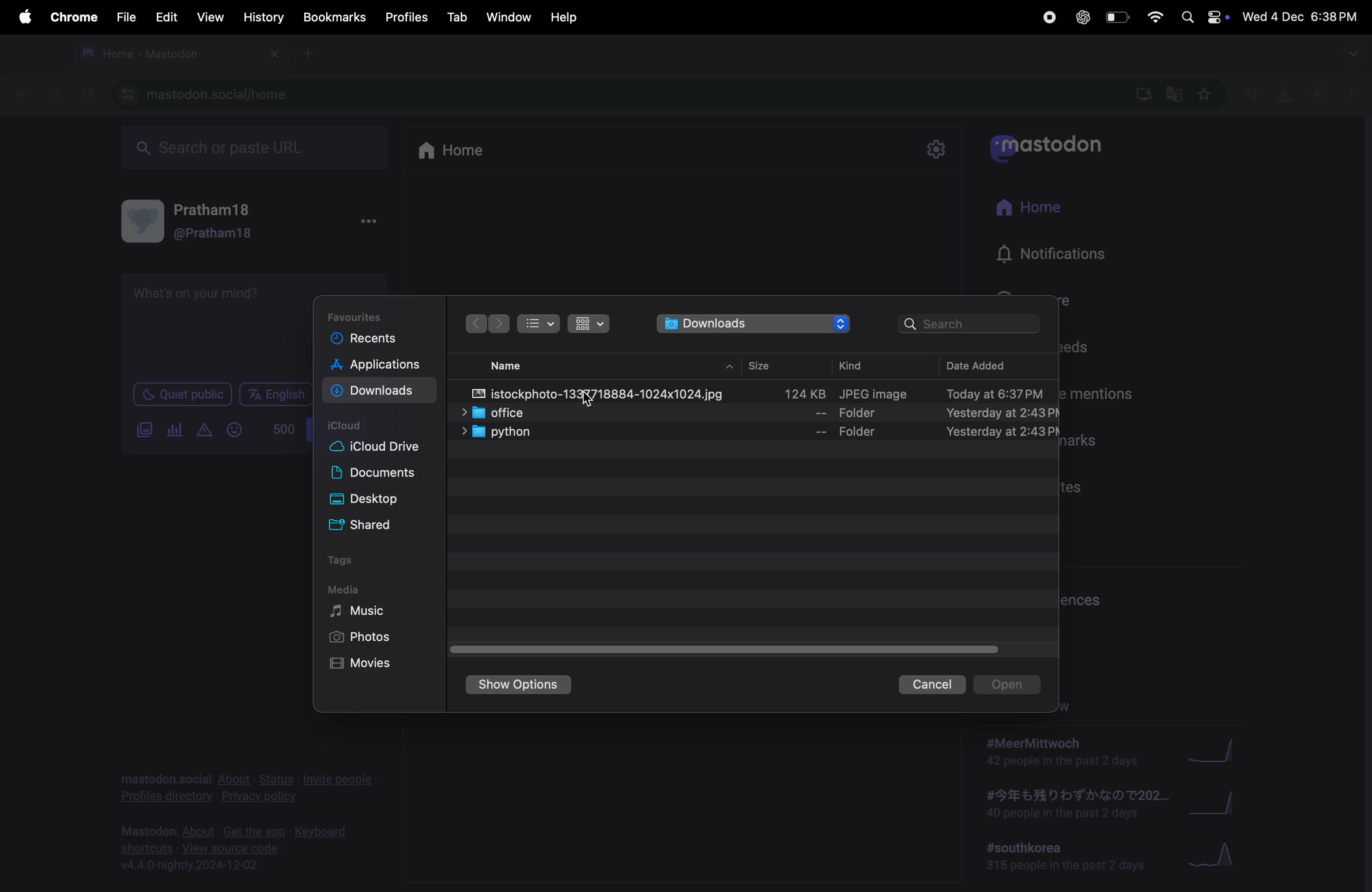  Describe the element at coordinates (1219, 749) in the screenshot. I see `Graph` at that location.